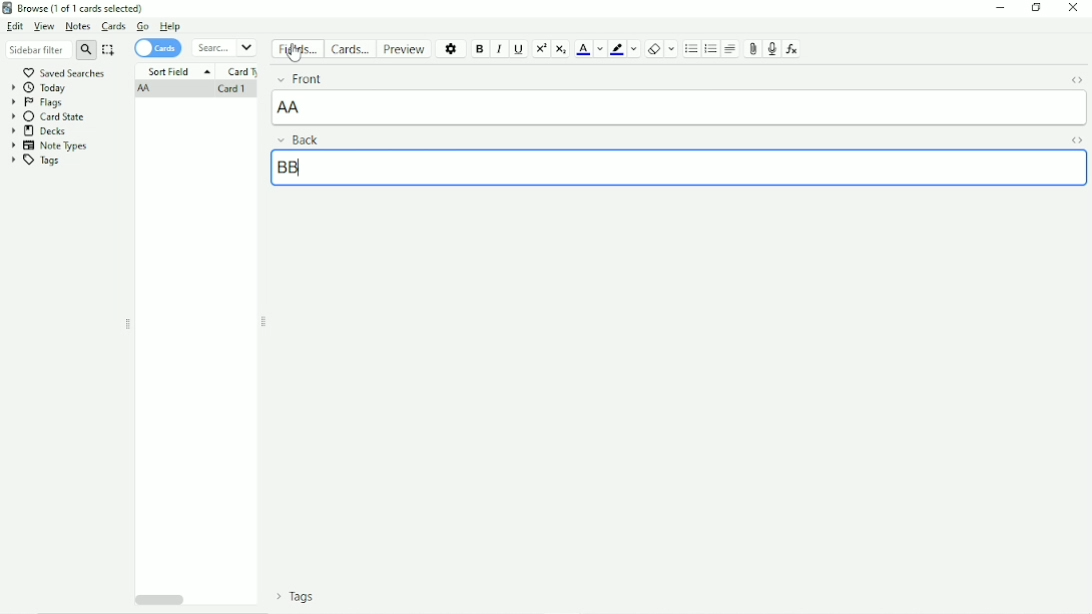 Image resolution: width=1092 pixels, height=614 pixels. What do you see at coordinates (500, 50) in the screenshot?
I see `Italic` at bounding box center [500, 50].